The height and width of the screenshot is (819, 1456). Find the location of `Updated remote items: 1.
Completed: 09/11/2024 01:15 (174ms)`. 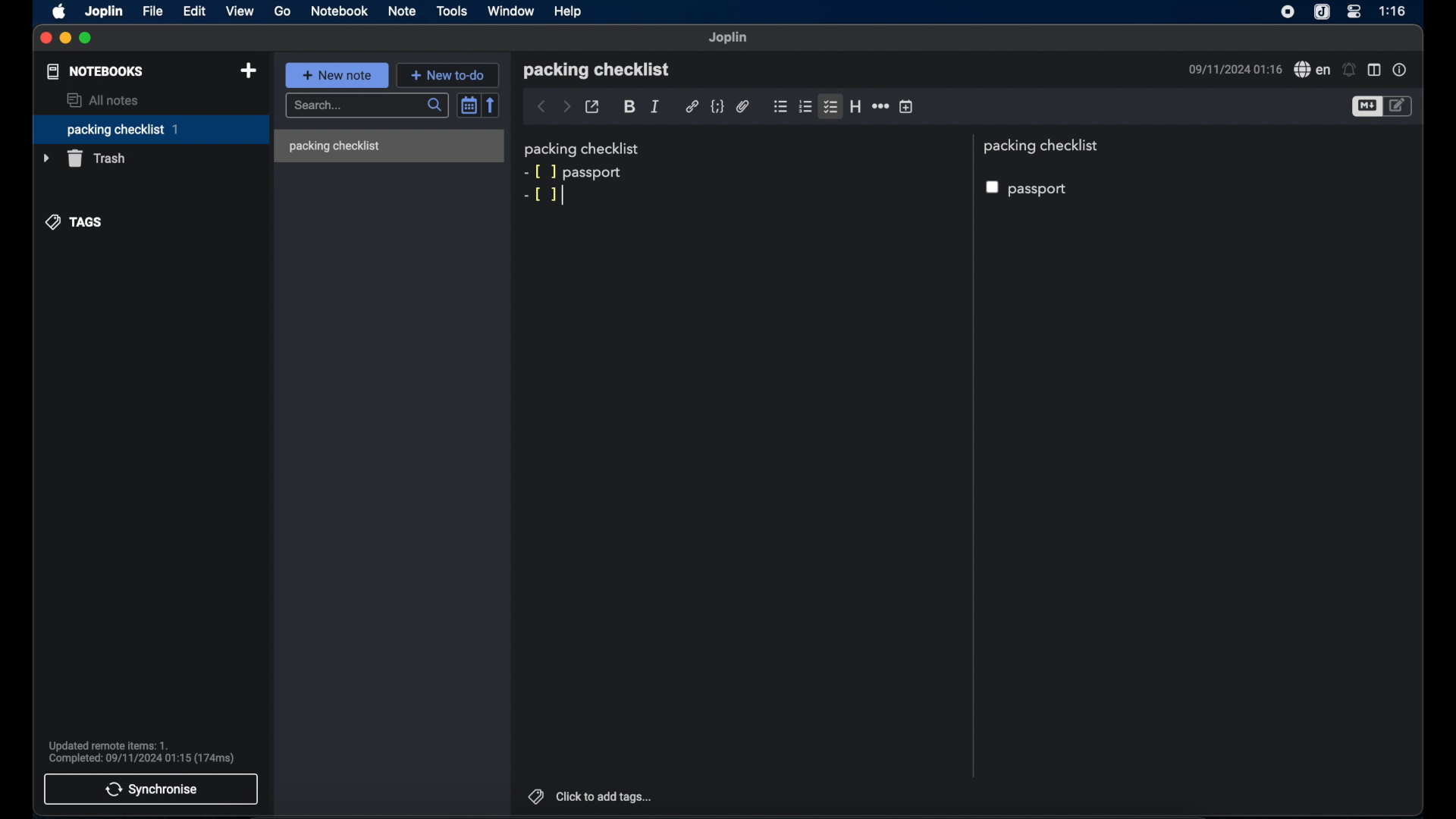

Updated remote items: 1.
Completed: 09/11/2024 01:15 (174ms) is located at coordinates (143, 751).